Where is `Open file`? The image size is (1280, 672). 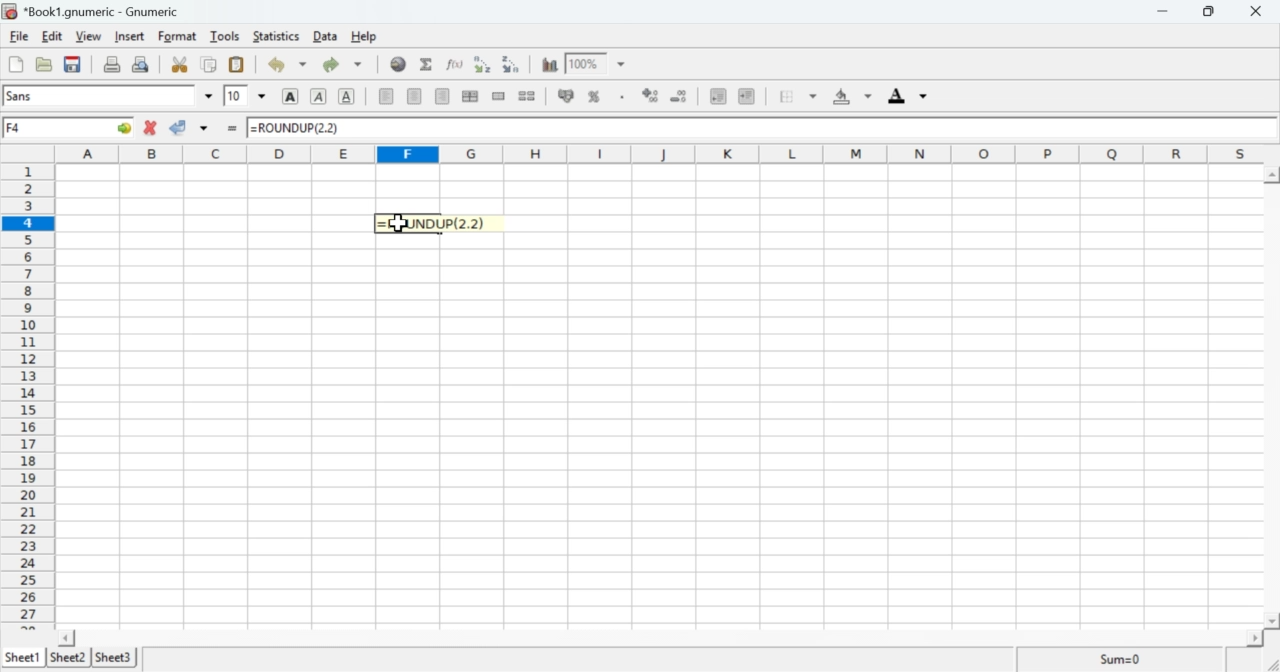
Open file is located at coordinates (43, 63).